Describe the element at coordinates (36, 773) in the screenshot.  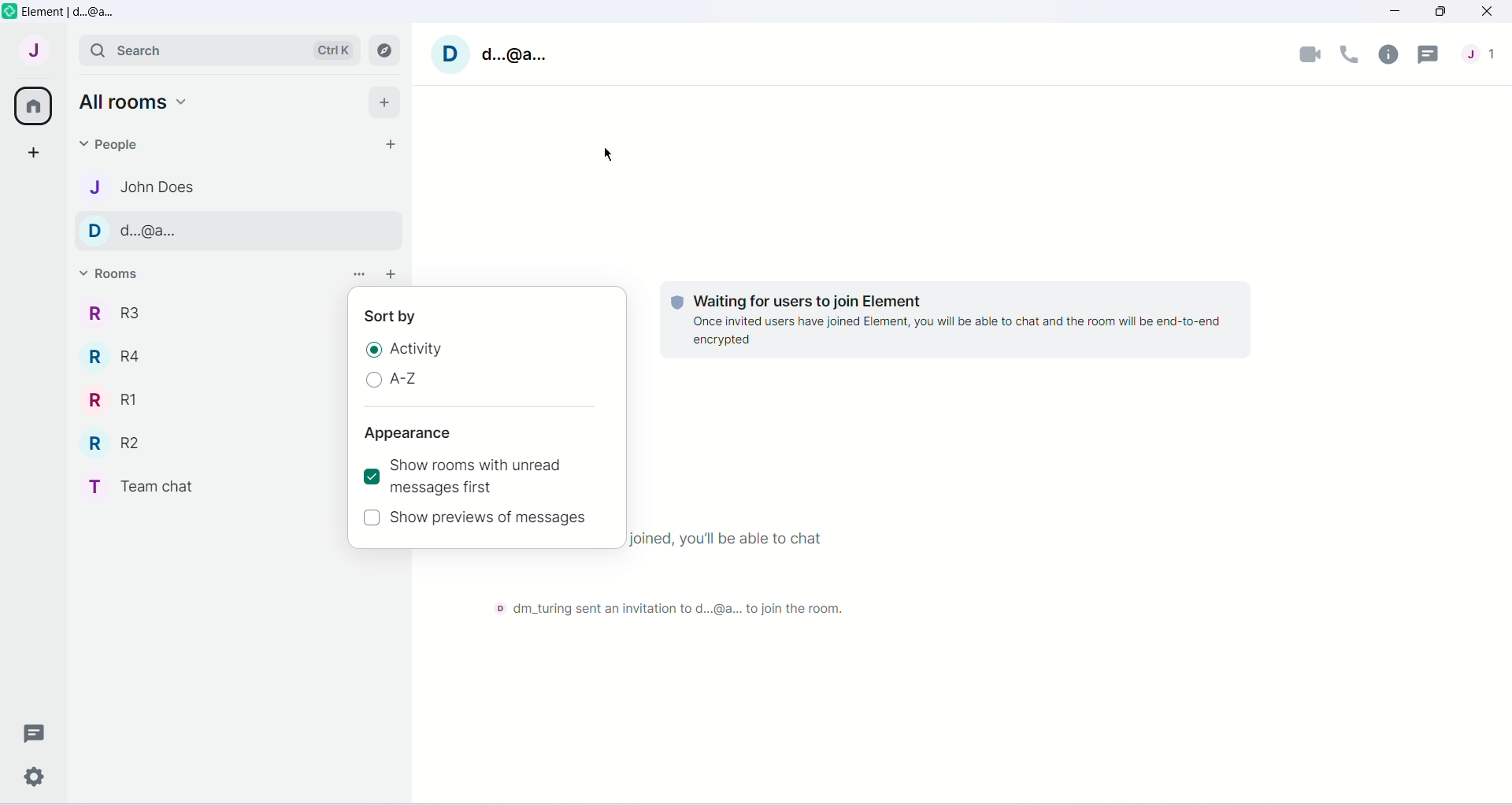
I see `Quick Settings` at that location.